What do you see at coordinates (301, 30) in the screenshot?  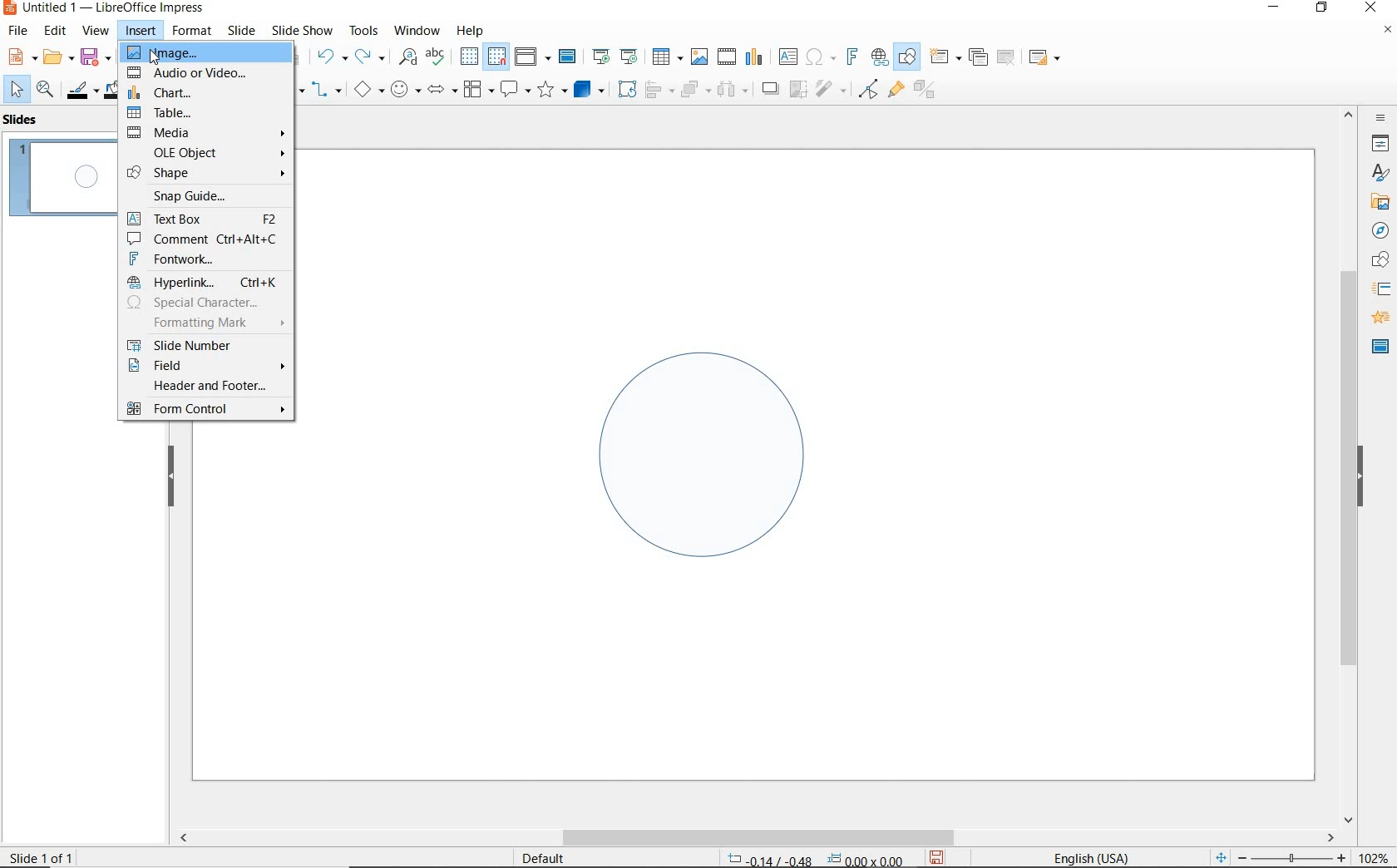 I see `slide show` at bounding box center [301, 30].